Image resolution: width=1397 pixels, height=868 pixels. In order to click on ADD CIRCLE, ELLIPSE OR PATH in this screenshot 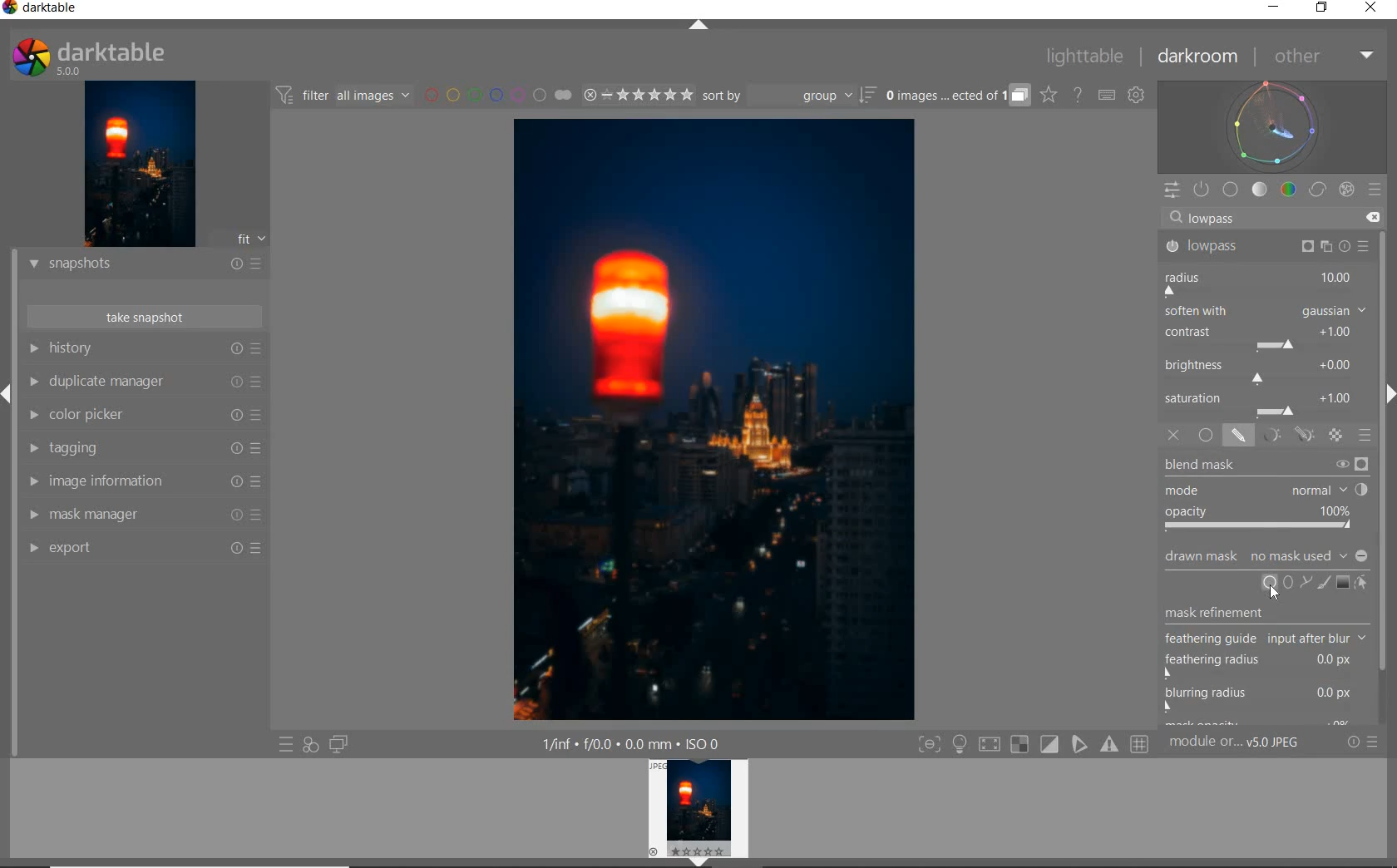, I will do `click(1284, 581)`.